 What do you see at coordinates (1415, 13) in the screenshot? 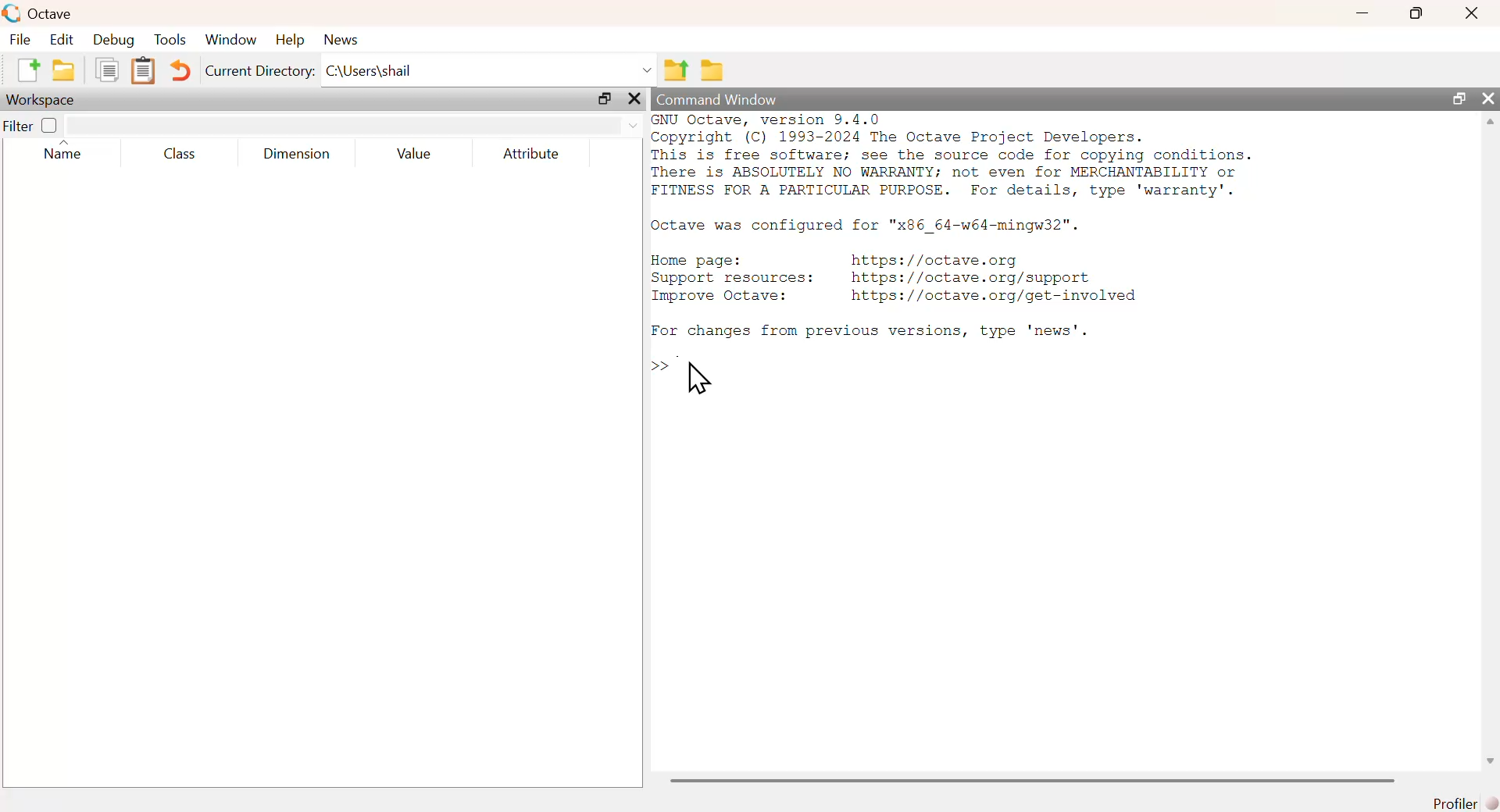
I see `maximize` at bounding box center [1415, 13].